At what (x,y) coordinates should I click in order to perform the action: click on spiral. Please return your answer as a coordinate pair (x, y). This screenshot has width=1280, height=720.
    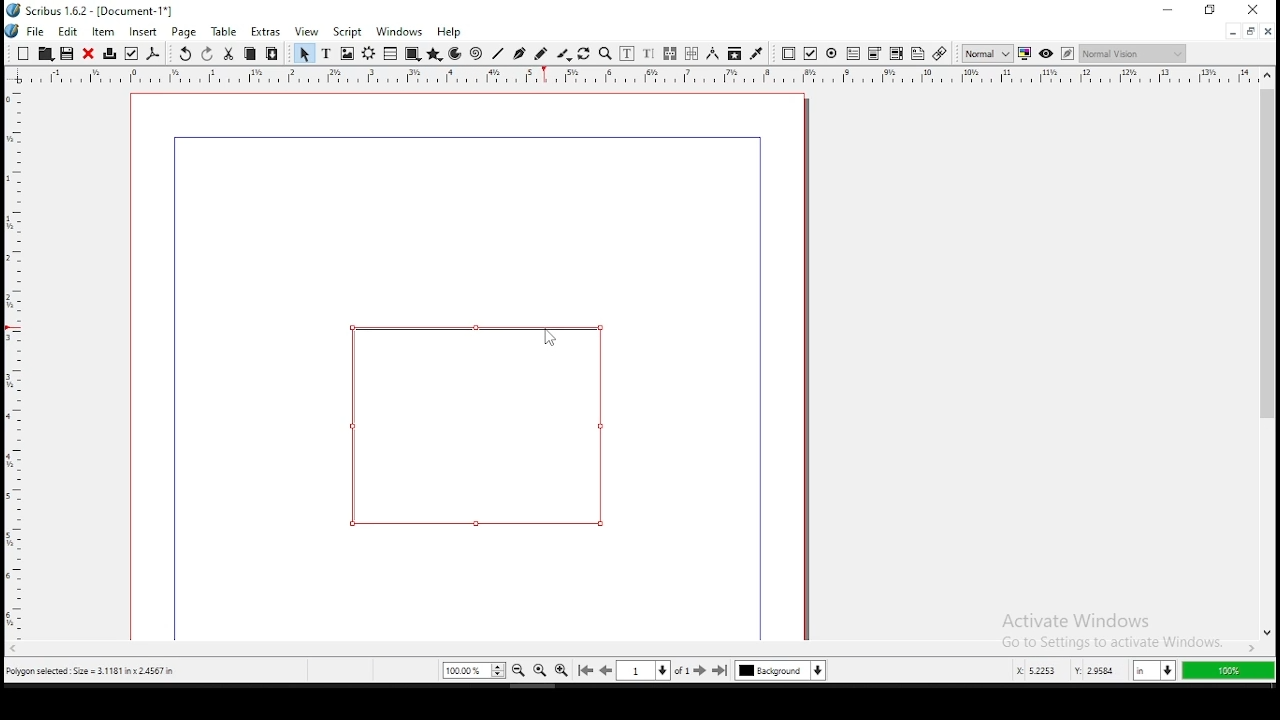
    Looking at the image, I should click on (476, 54).